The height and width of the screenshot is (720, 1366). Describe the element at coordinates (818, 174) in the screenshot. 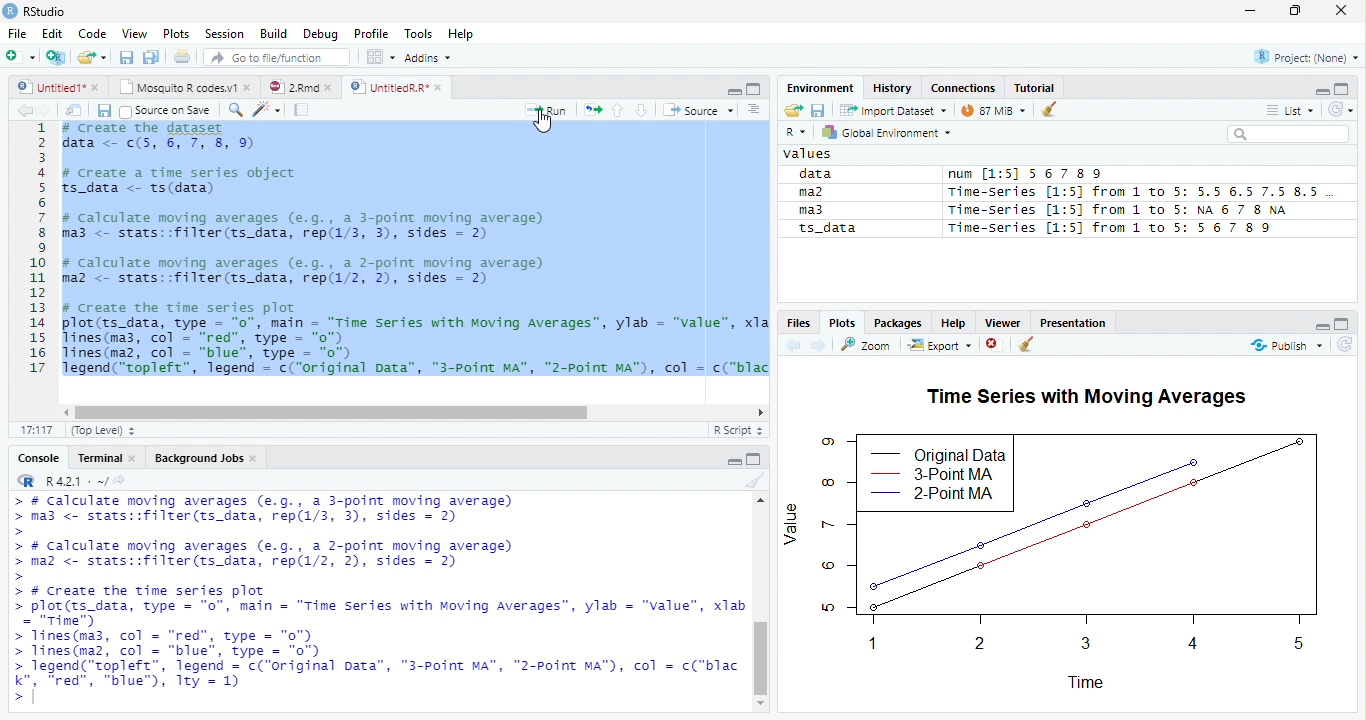

I see `data` at that location.